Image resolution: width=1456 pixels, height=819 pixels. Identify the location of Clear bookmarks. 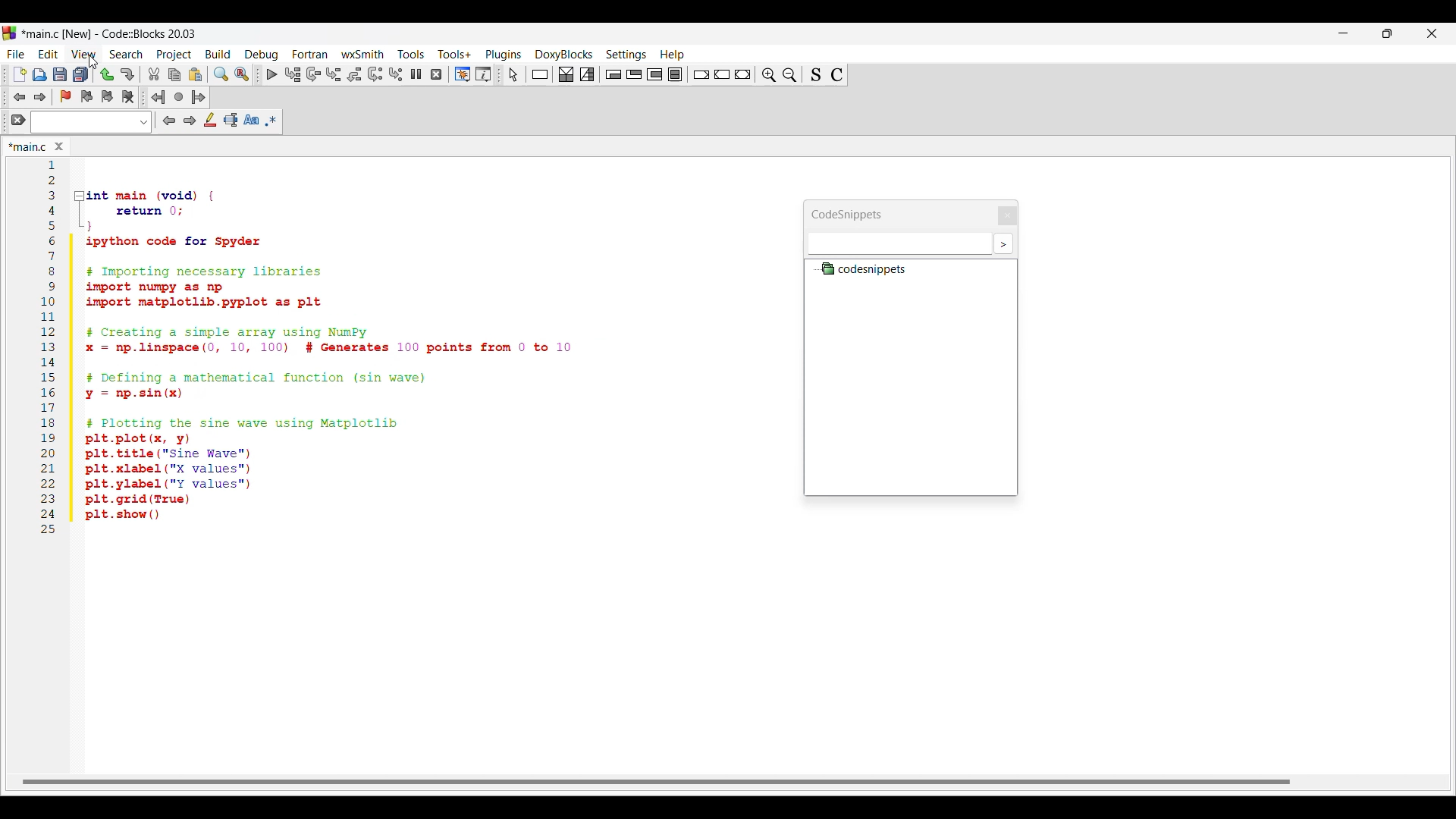
(128, 97).